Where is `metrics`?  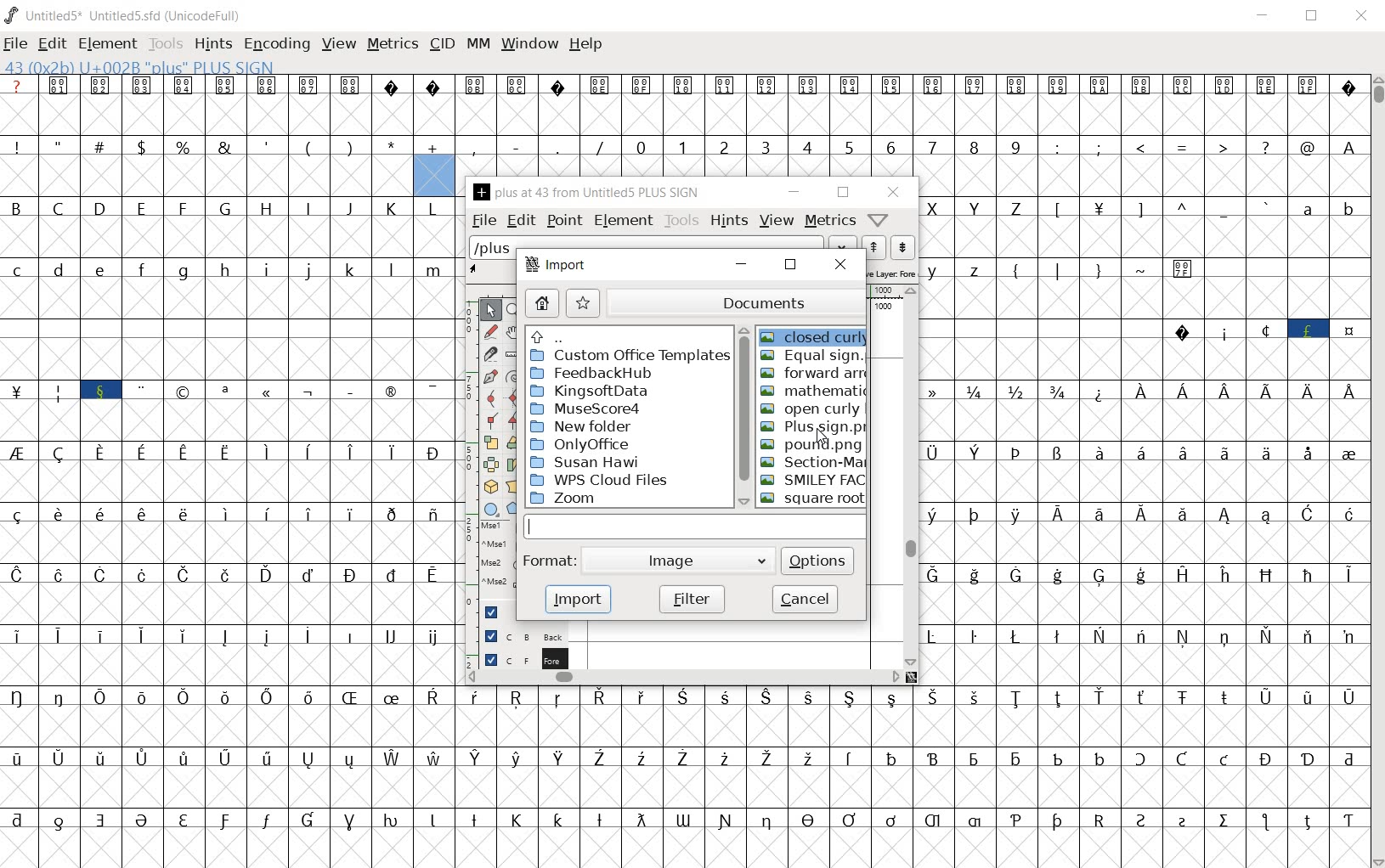 metrics is located at coordinates (392, 45).